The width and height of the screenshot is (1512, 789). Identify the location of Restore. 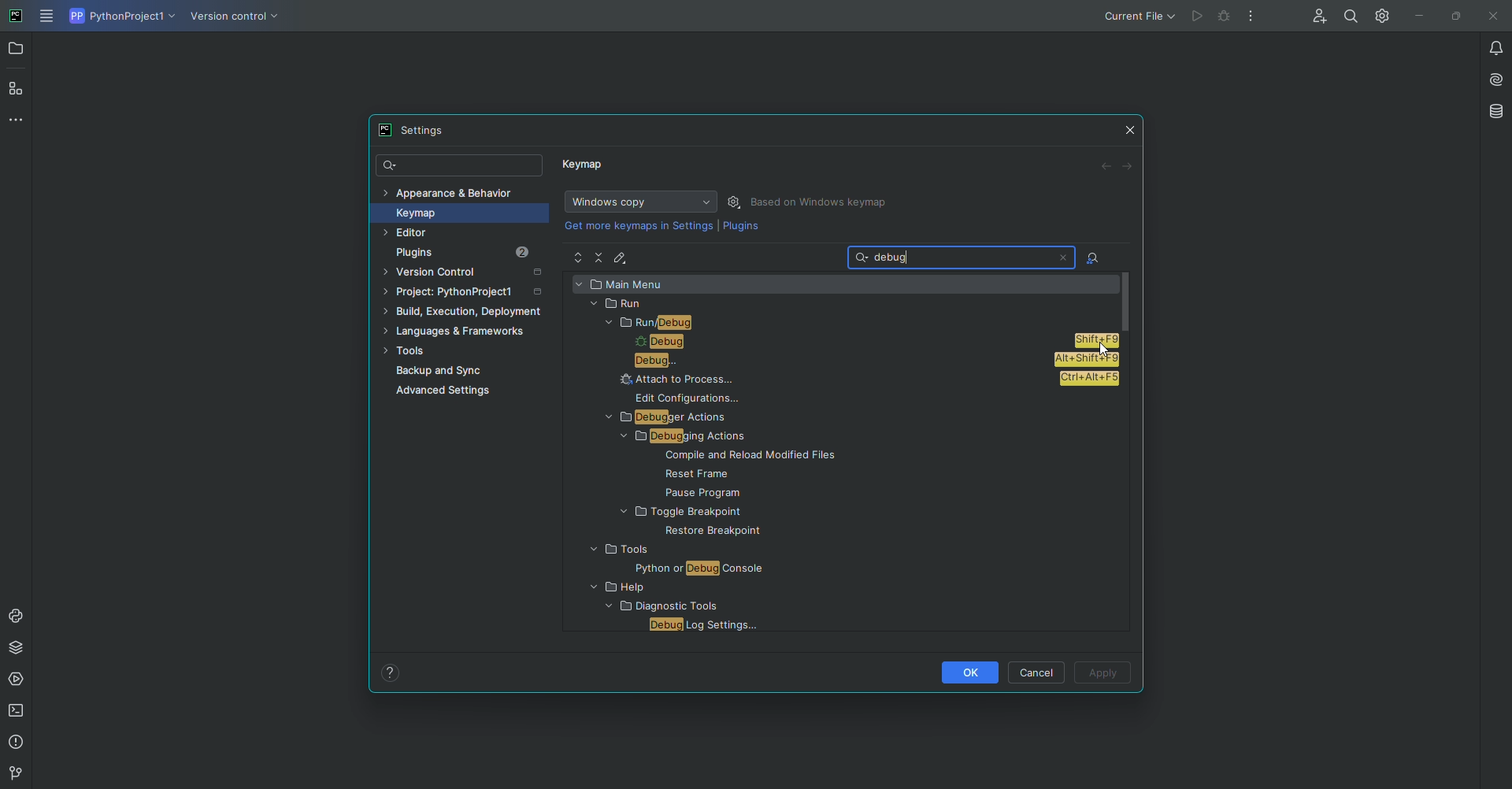
(1452, 15).